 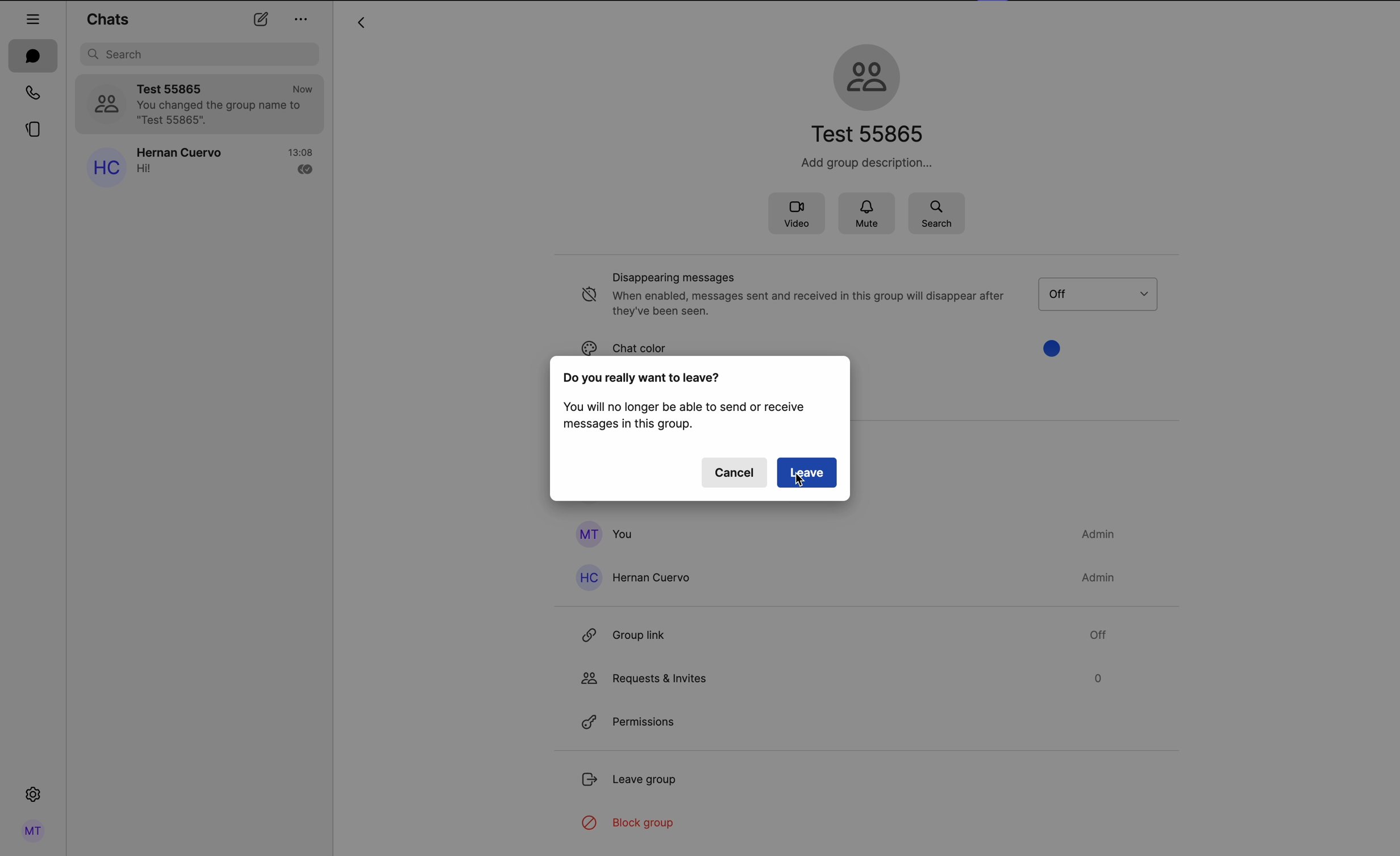 What do you see at coordinates (643, 377) in the screenshot?
I see `do you really want to leave?` at bounding box center [643, 377].